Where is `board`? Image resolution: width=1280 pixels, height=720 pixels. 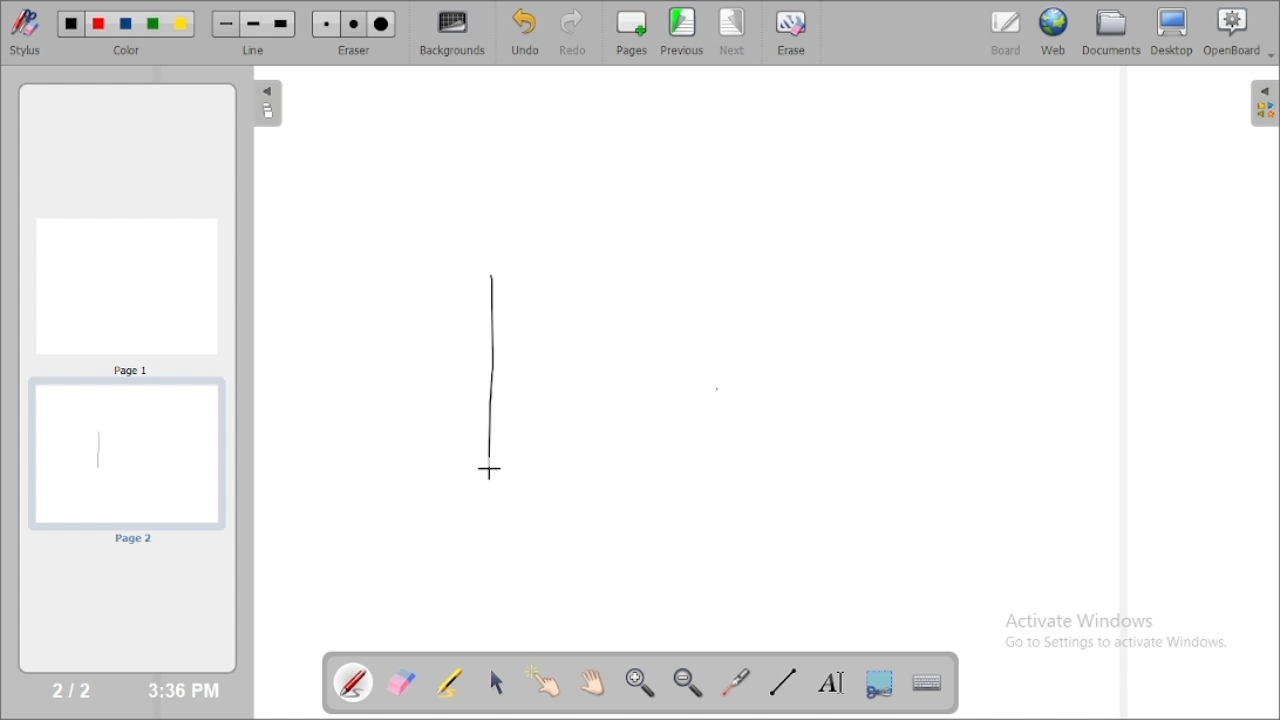
board is located at coordinates (1006, 33).